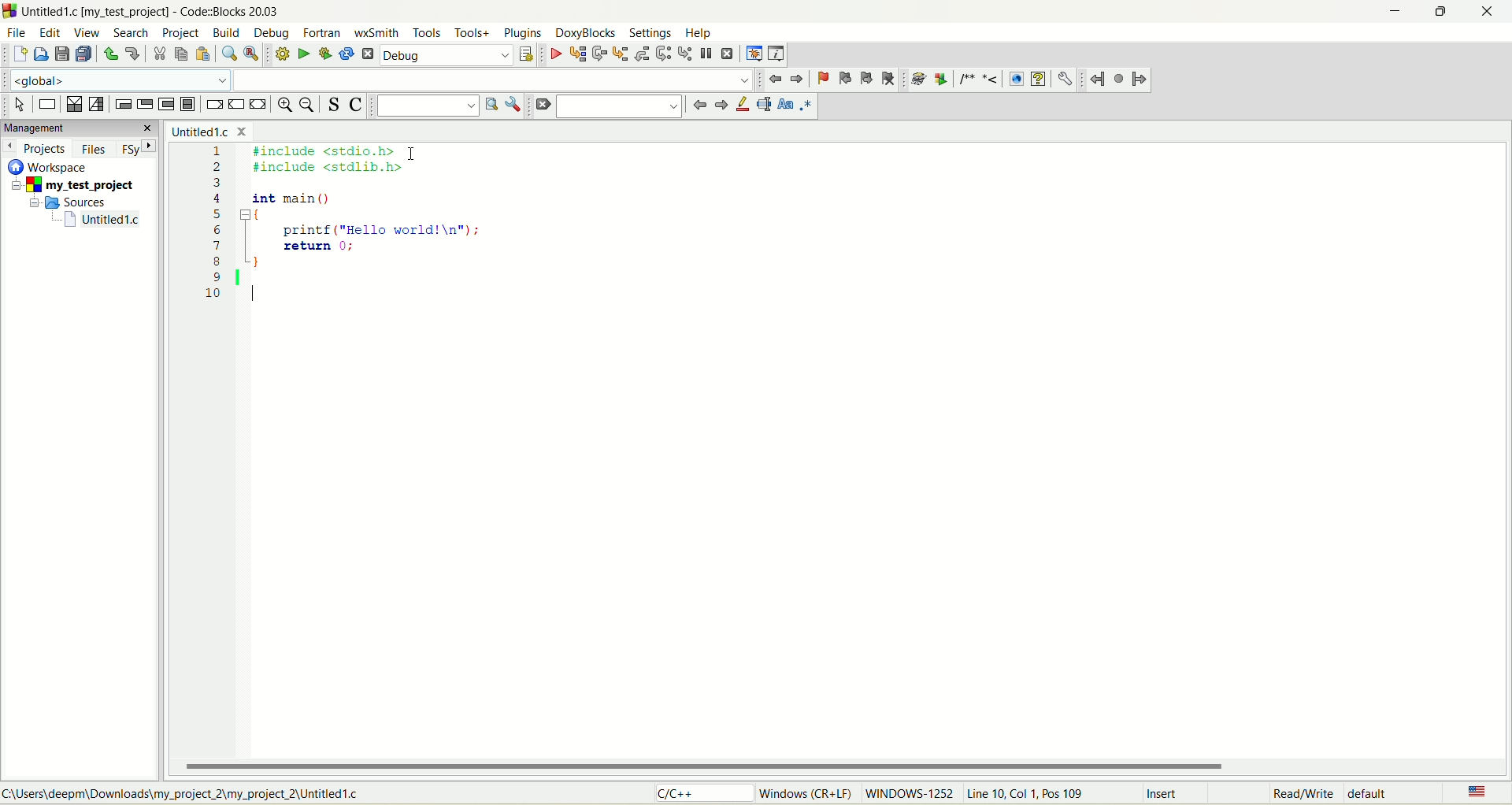  What do you see at coordinates (359, 106) in the screenshot?
I see `toggle comment` at bounding box center [359, 106].